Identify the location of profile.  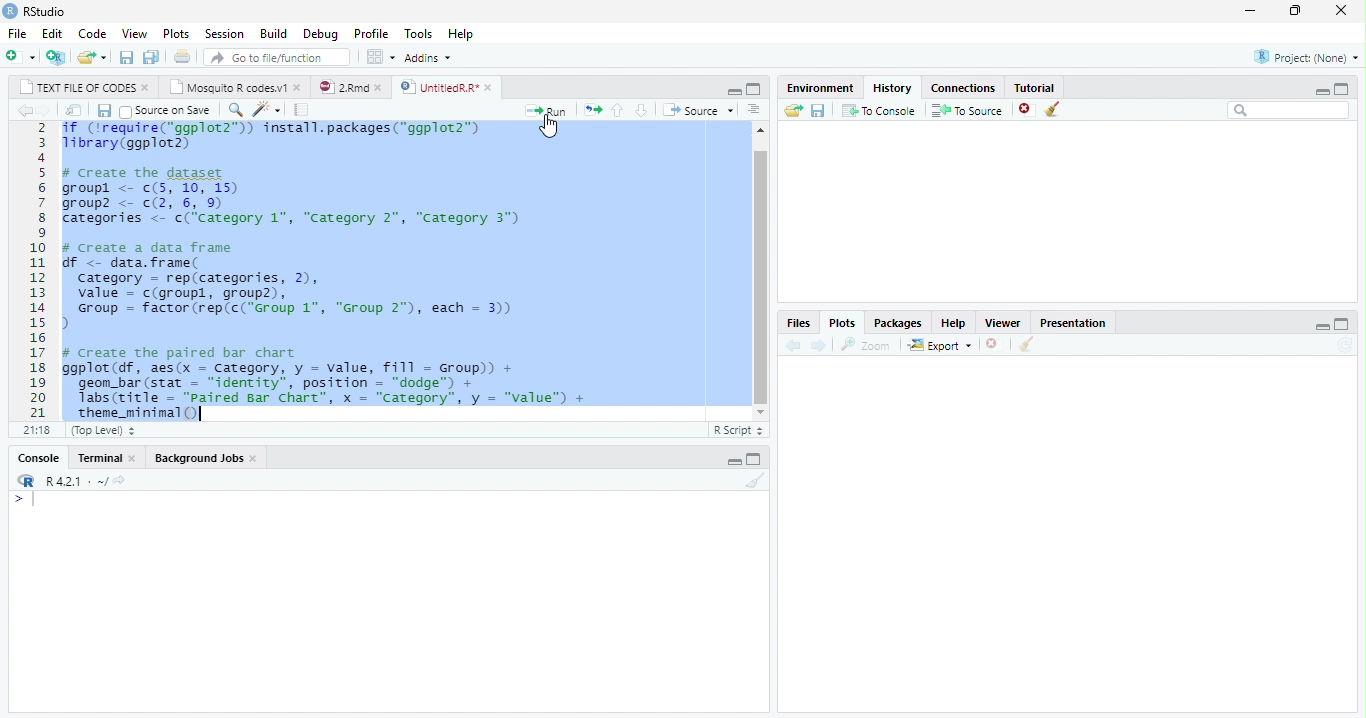
(370, 32).